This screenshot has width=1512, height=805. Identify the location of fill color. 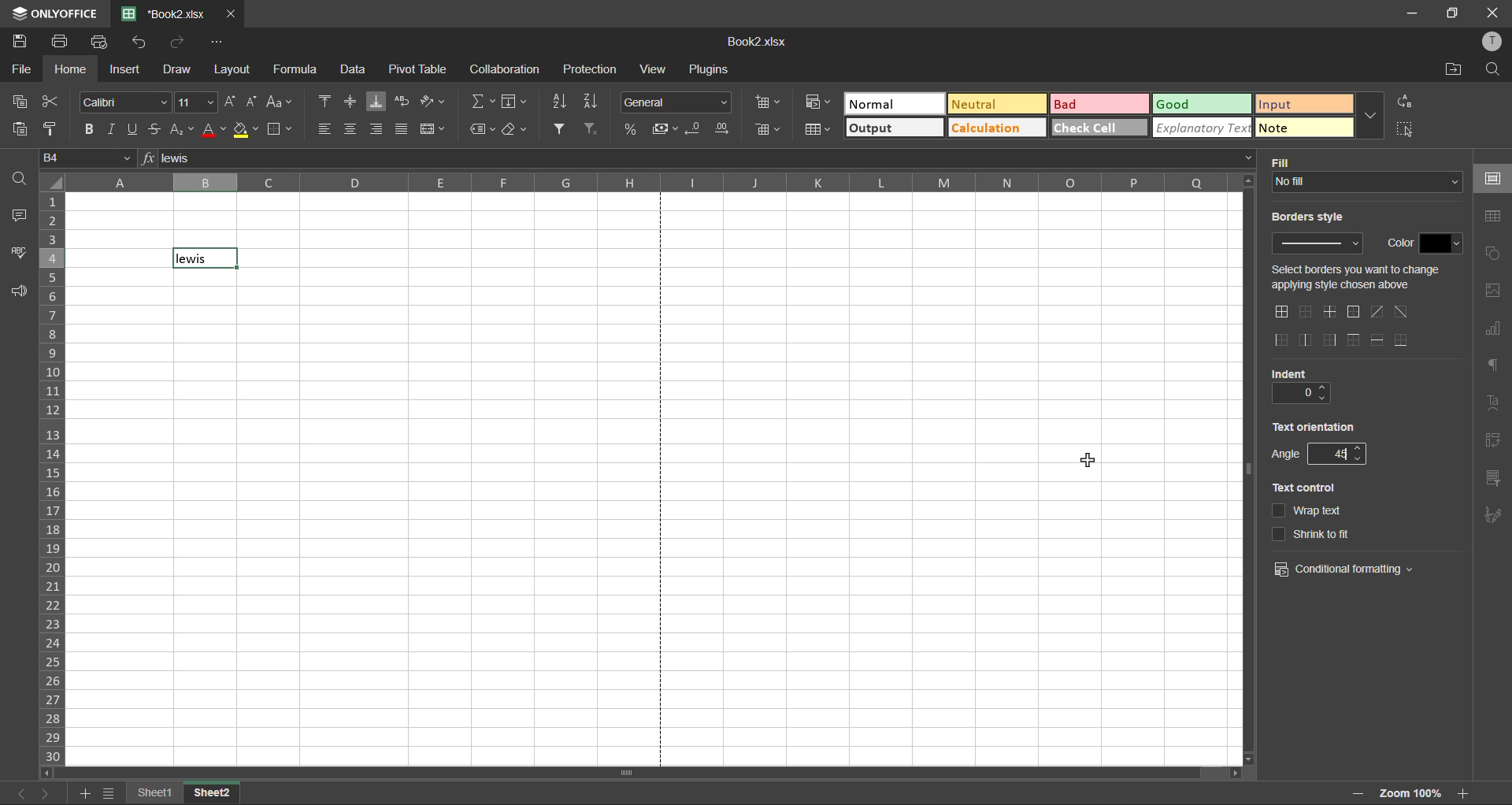
(246, 131).